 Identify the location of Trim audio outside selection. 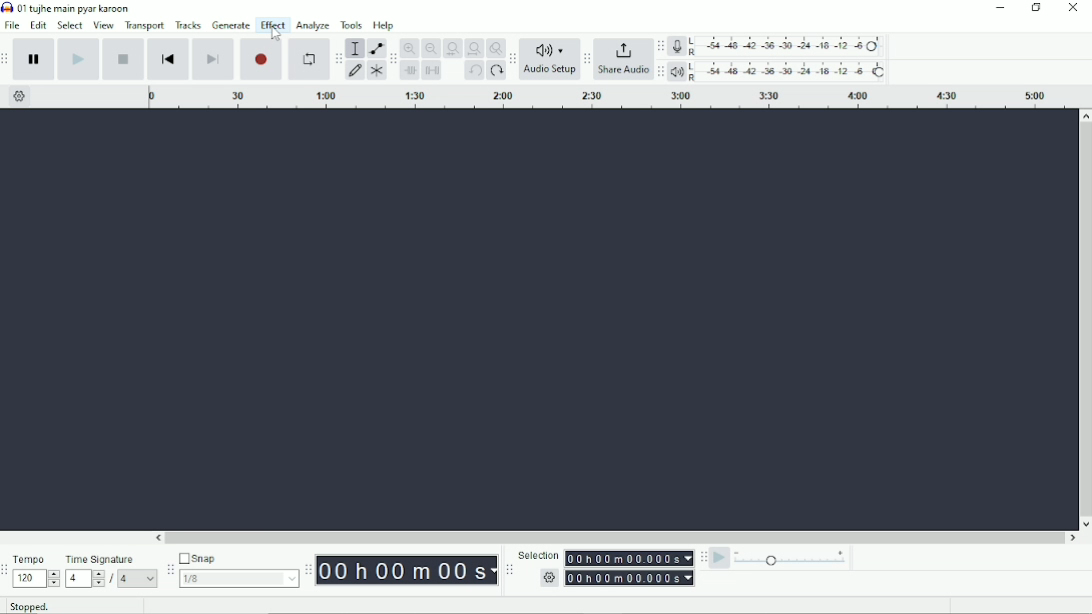
(410, 72).